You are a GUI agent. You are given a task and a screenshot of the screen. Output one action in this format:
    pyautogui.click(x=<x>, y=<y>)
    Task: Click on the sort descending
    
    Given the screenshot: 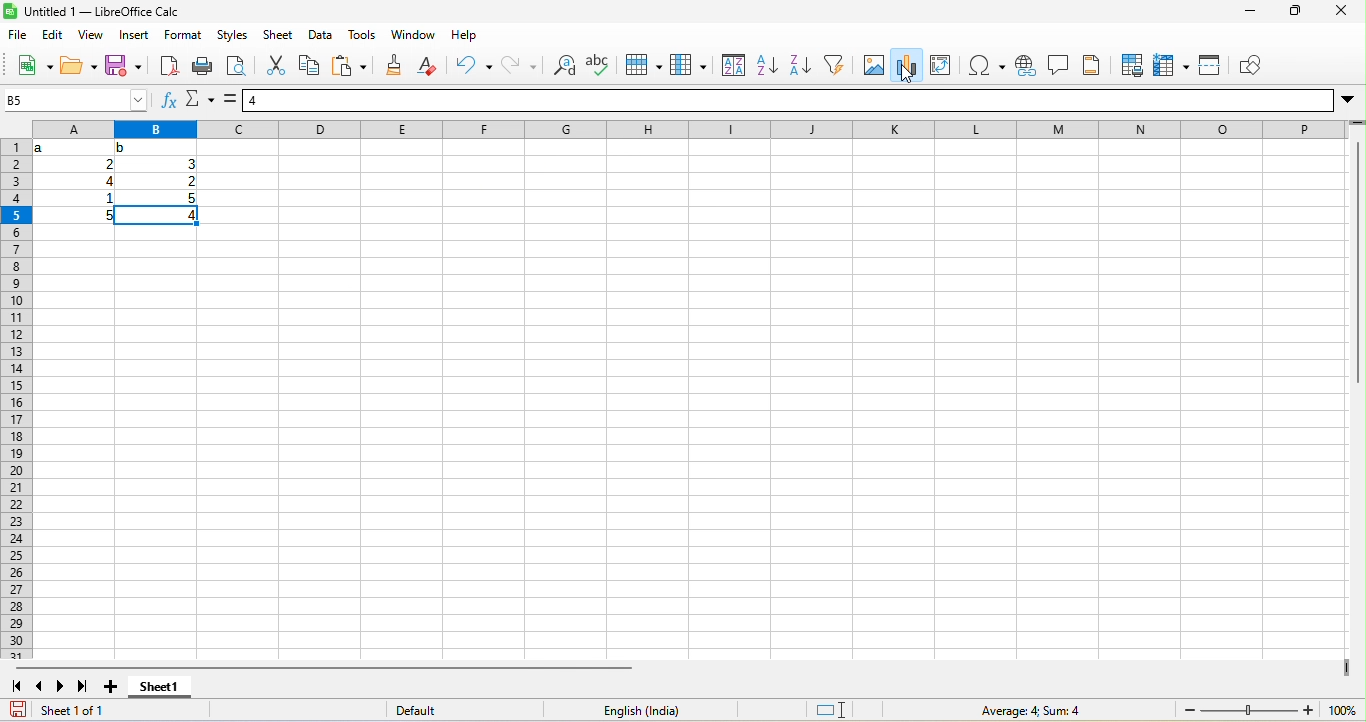 What is the action you would take?
    pyautogui.click(x=801, y=64)
    